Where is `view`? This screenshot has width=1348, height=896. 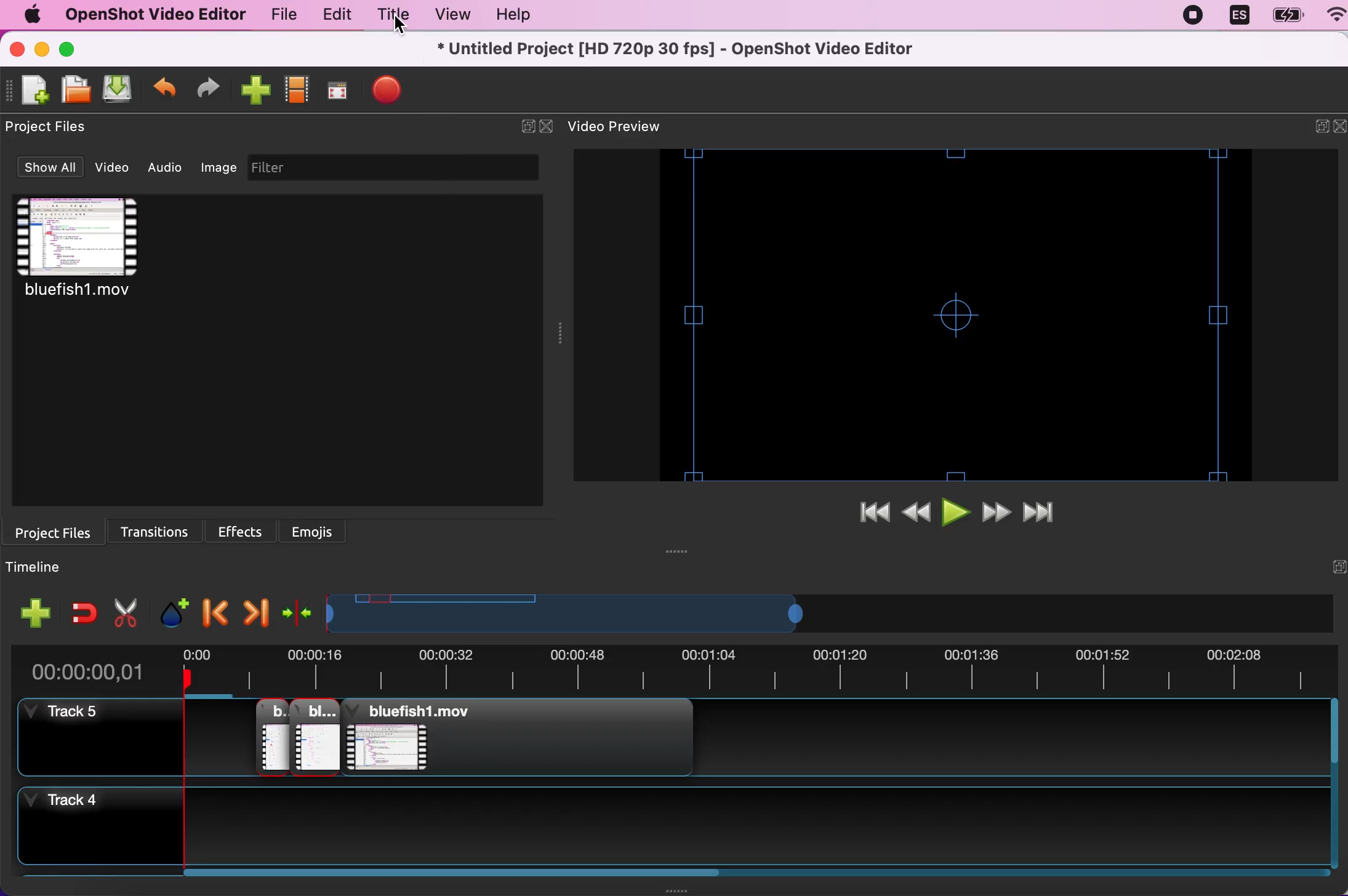 view is located at coordinates (448, 15).